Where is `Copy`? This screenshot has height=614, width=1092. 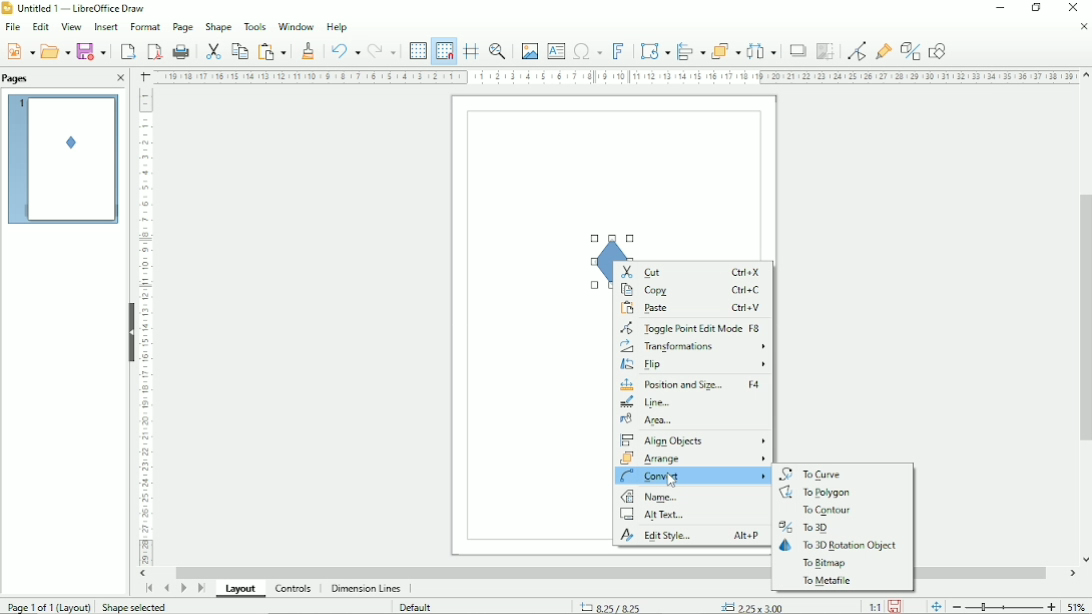
Copy is located at coordinates (239, 50).